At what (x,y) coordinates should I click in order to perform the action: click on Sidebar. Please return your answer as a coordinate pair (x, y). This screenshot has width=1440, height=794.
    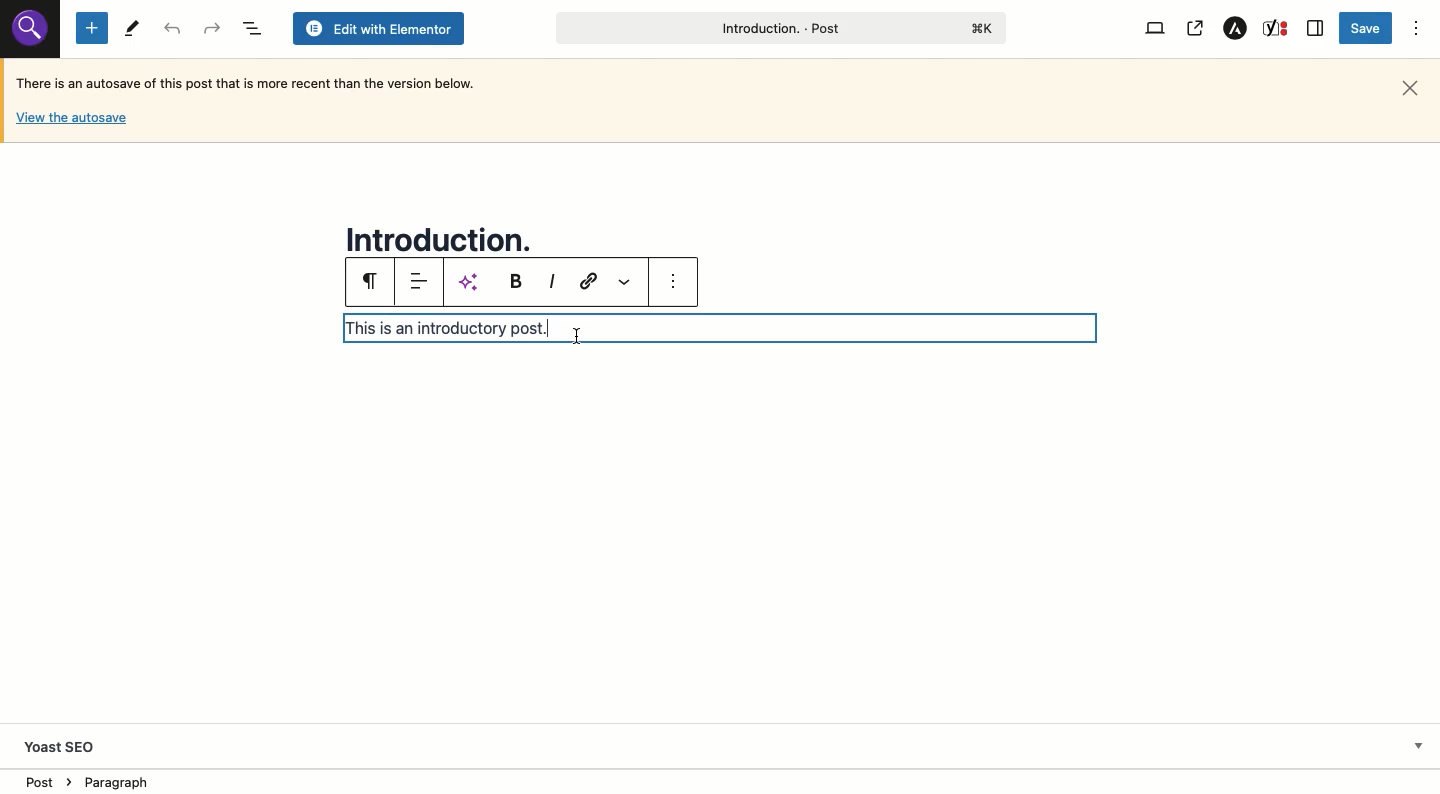
    Looking at the image, I should click on (1316, 28).